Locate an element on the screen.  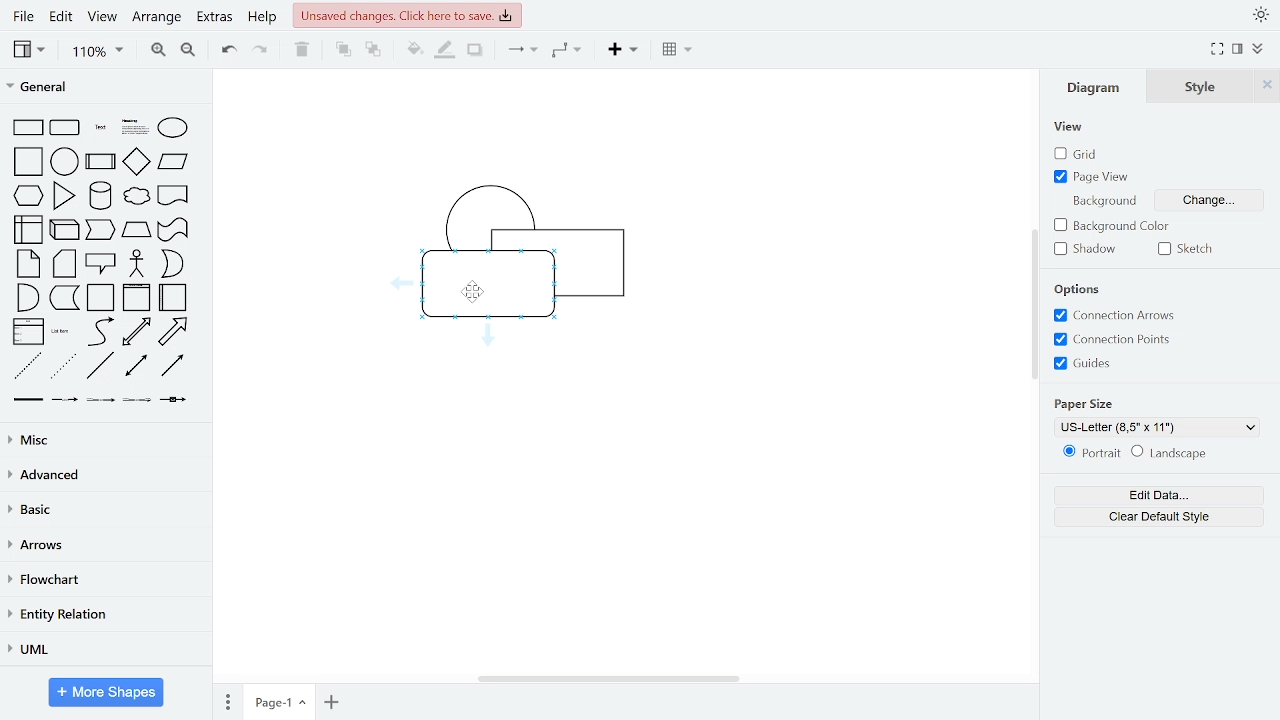
zoom is located at coordinates (99, 51).